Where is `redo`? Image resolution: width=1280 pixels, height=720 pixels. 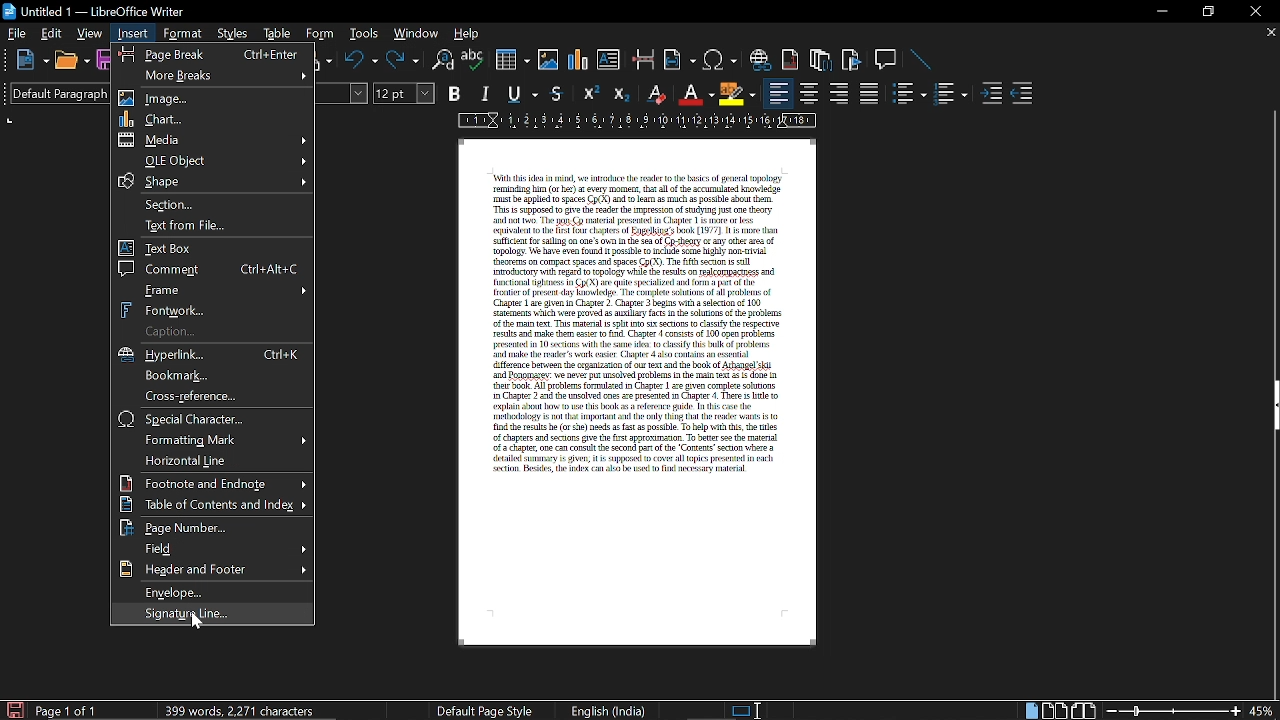
redo is located at coordinates (402, 60).